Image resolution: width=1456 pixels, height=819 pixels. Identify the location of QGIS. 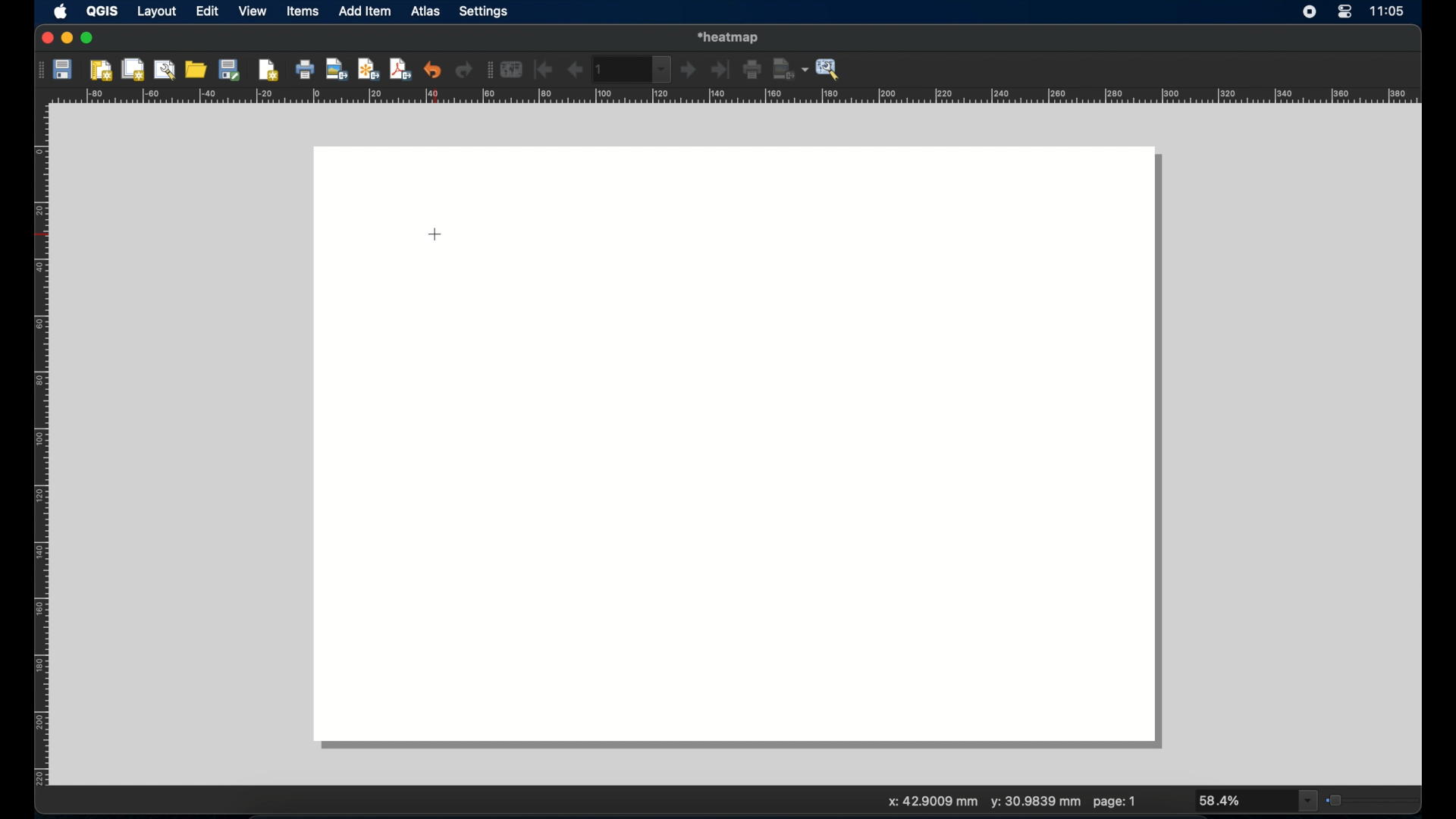
(104, 11).